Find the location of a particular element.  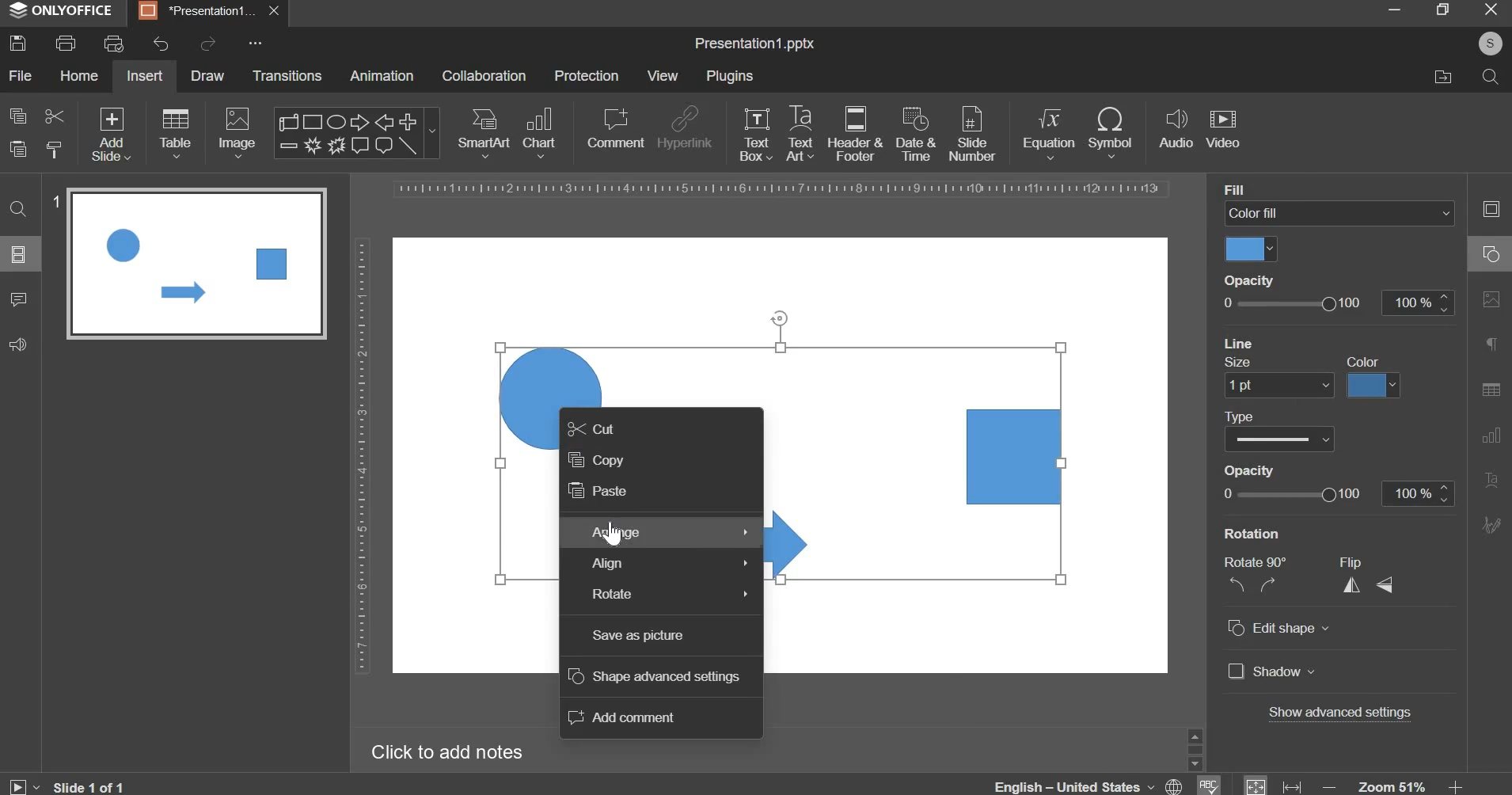

slide number is located at coordinates (55, 201).